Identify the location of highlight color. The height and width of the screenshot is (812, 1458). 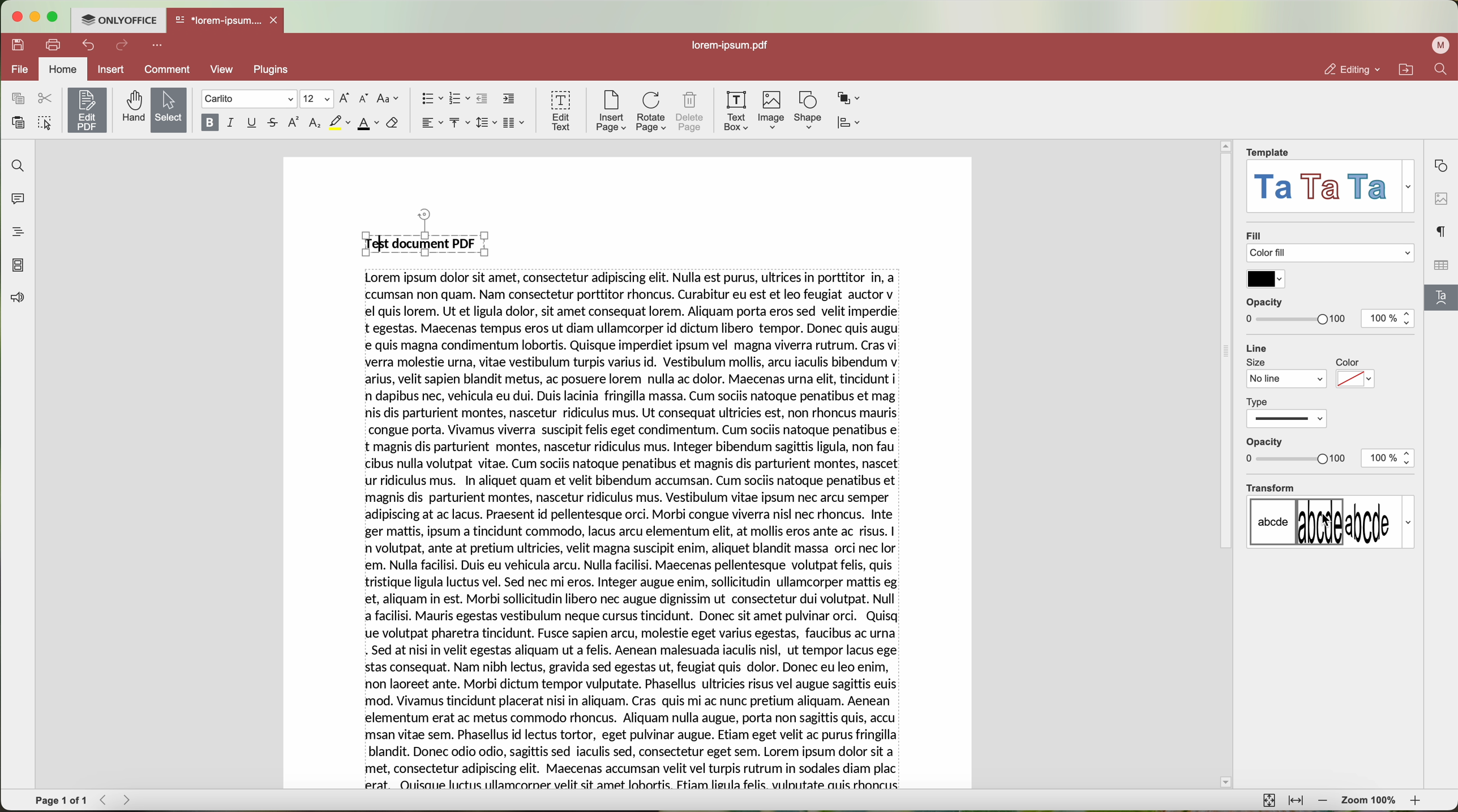
(339, 123).